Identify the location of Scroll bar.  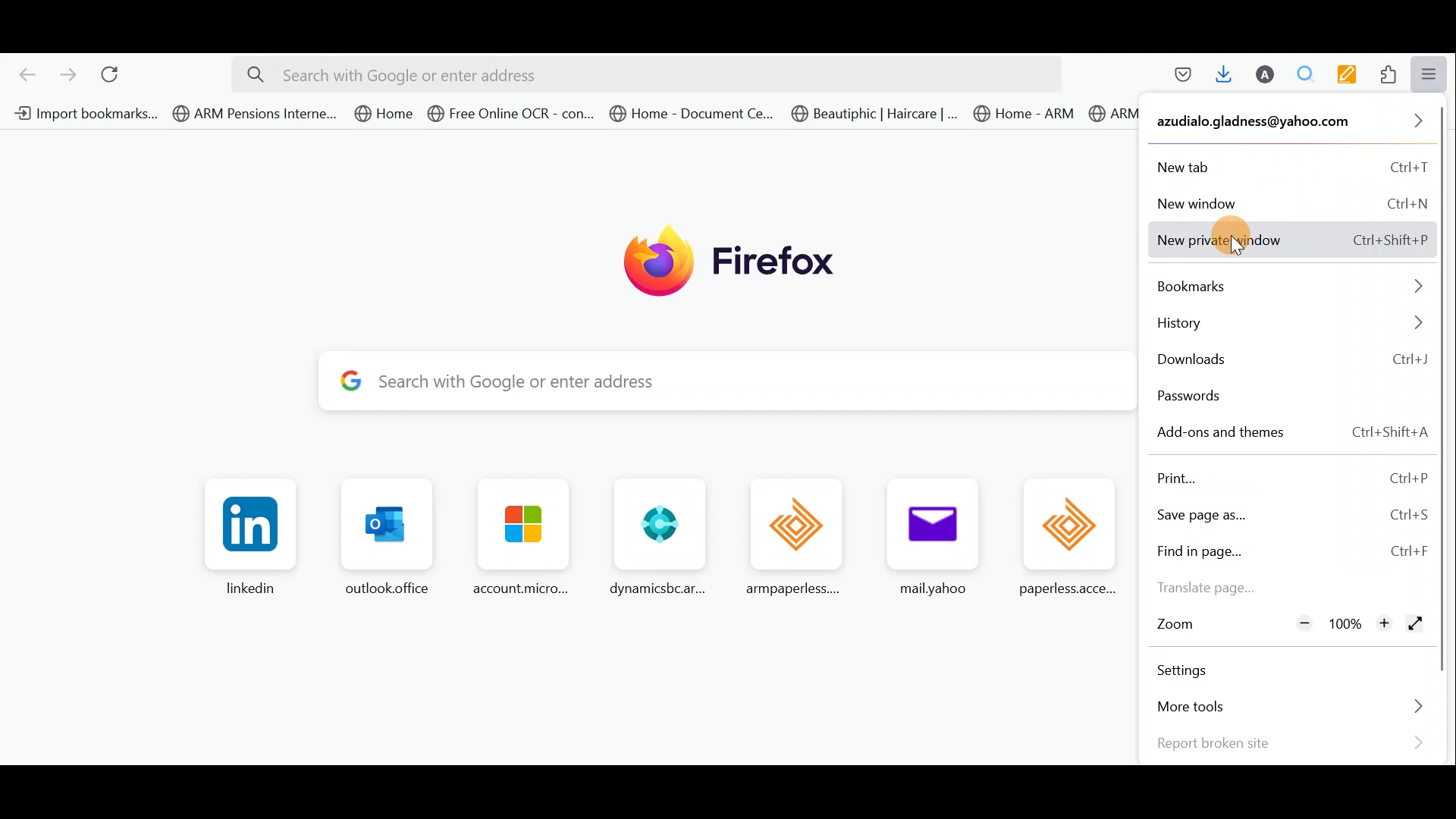
(1443, 394).